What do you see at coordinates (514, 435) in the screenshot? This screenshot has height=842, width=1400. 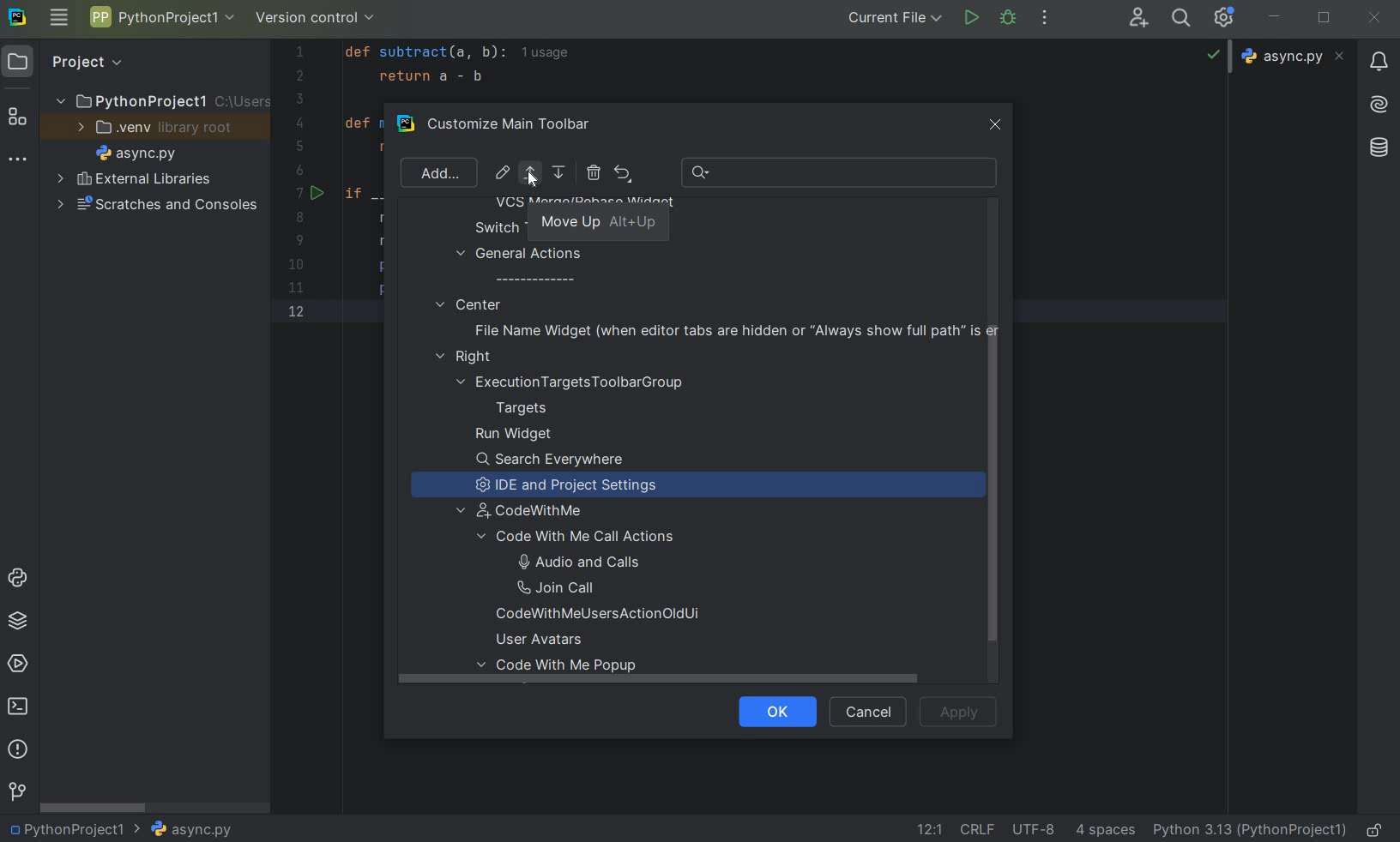 I see `run widget` at bounding box center [514, 435].